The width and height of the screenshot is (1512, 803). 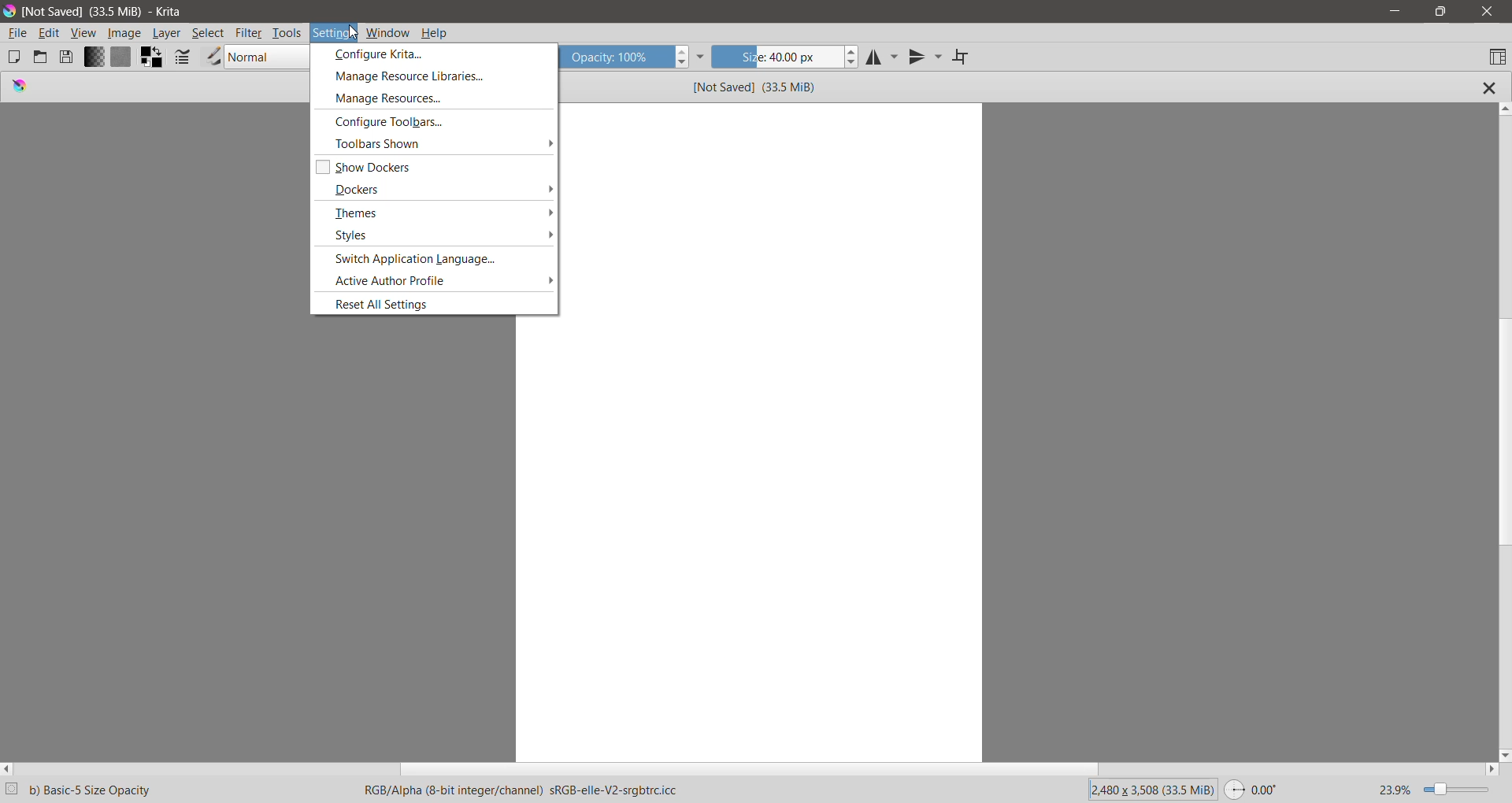 I want to click on Manage Resource Libraries, so click(x=410, y=75).